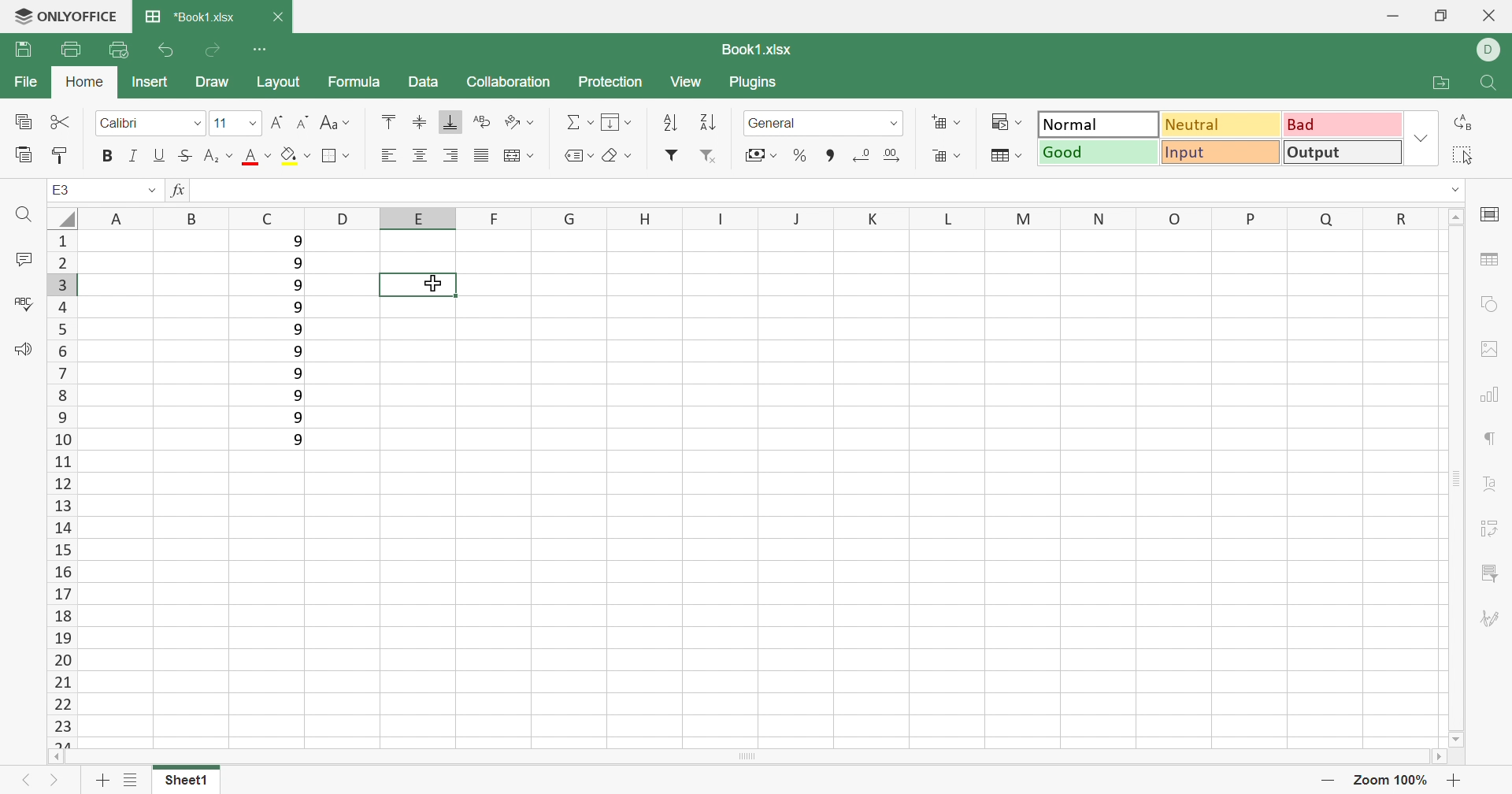 This screenshot has height=794, width=1512. What do you see at coordinates (1458, 217) in the screenshot?
I see `Scroll Up` at bounding box center [1458, 217].